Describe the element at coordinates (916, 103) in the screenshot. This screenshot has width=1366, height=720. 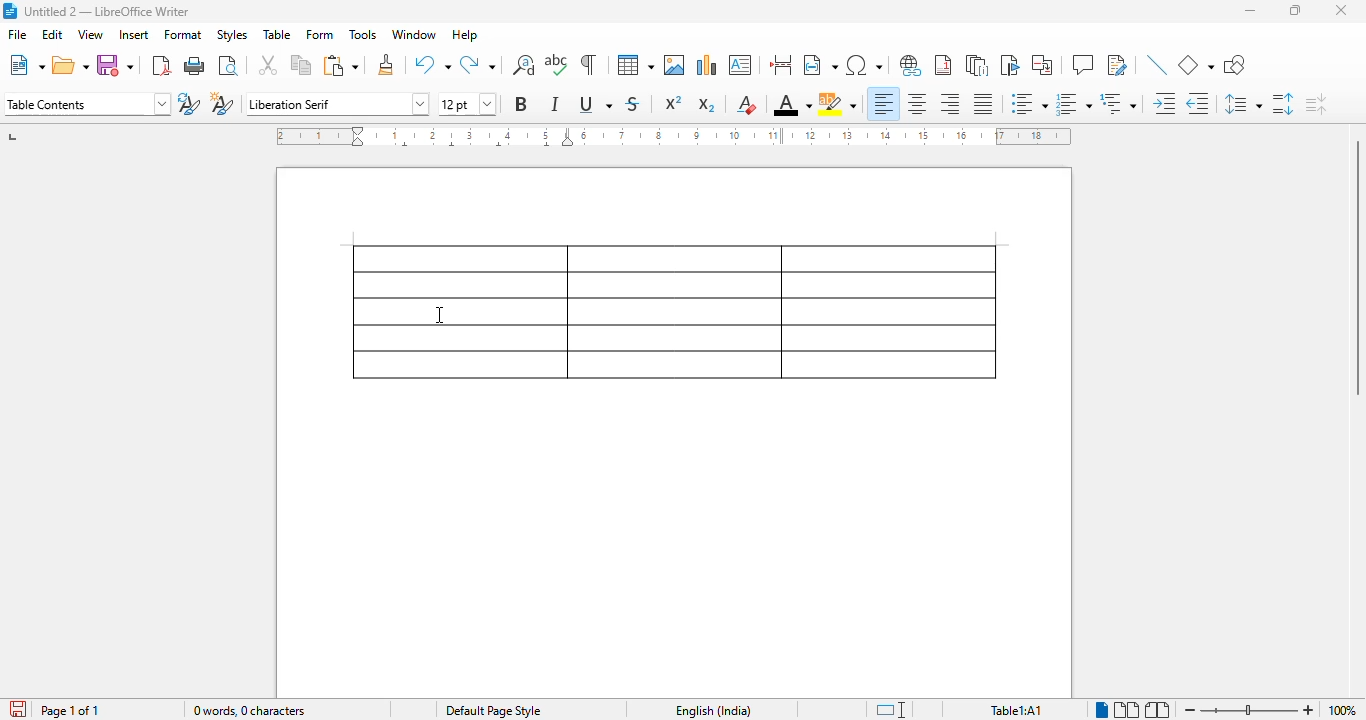
I see `align center` at that location.